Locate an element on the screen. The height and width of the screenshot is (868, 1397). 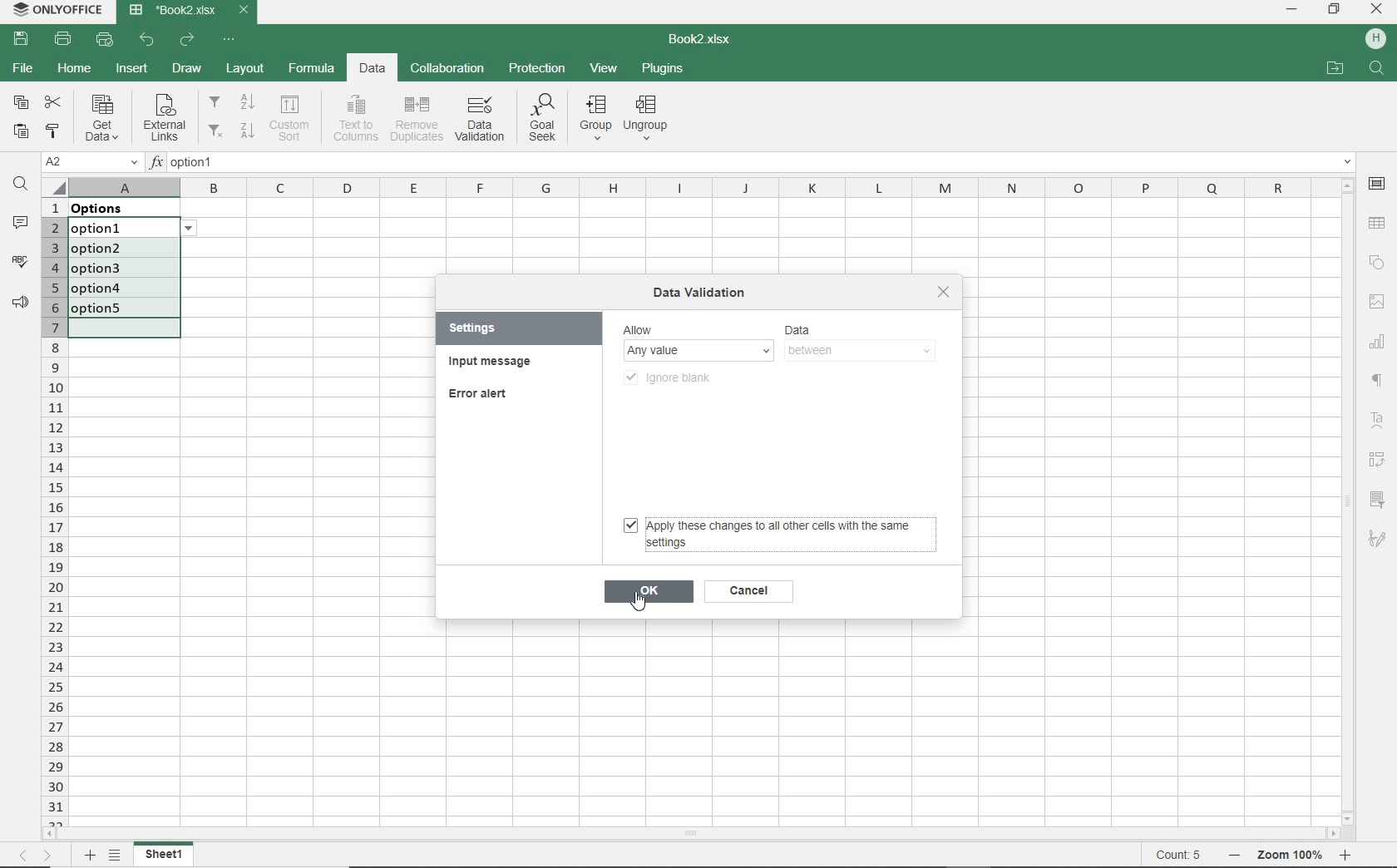
FILE is located at coordinates (22, 71).